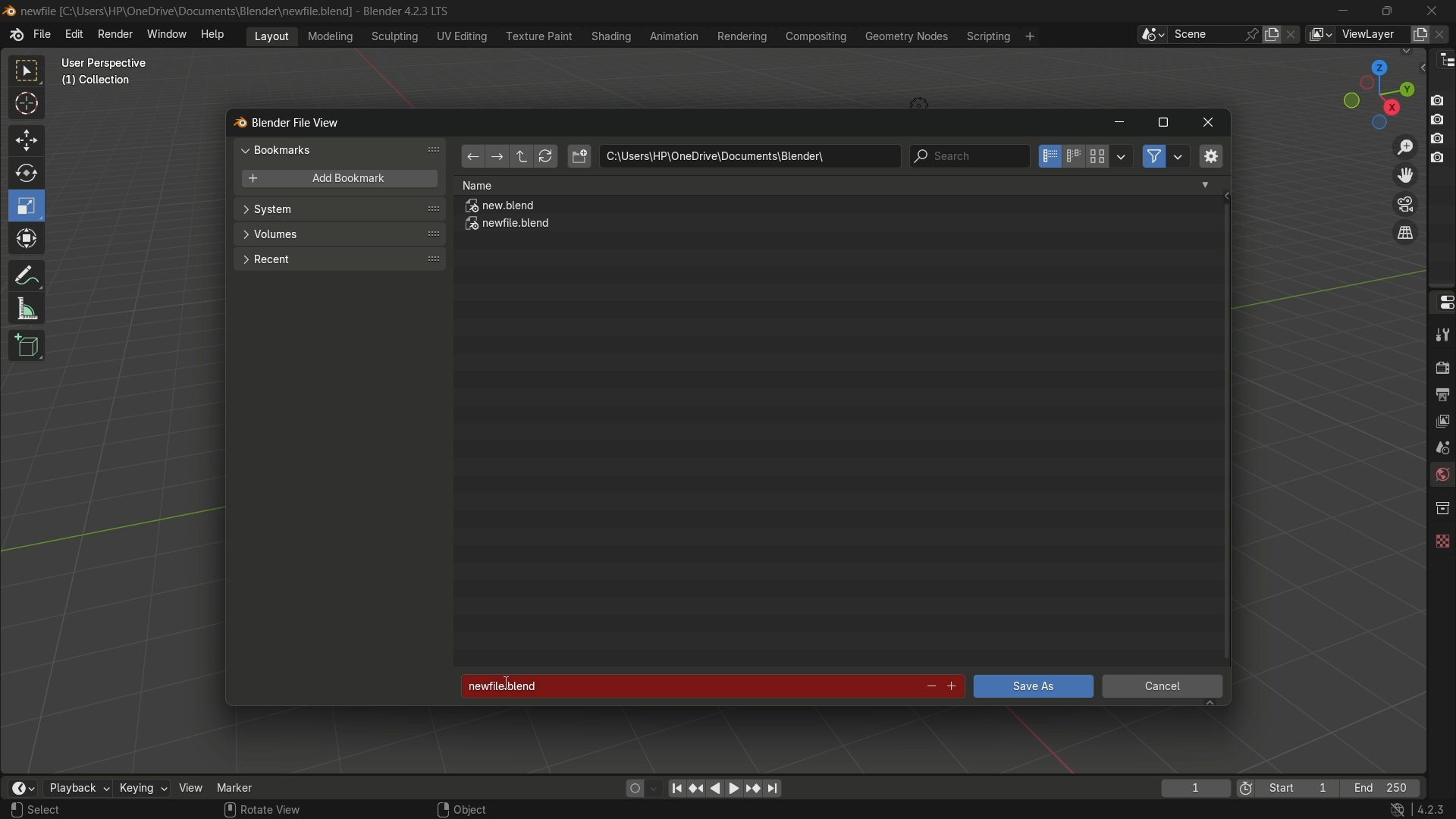  What do you see at coordinates (1048, 156) in the screenshot?
I see `vertical list` at bounding box center [1048, 156].